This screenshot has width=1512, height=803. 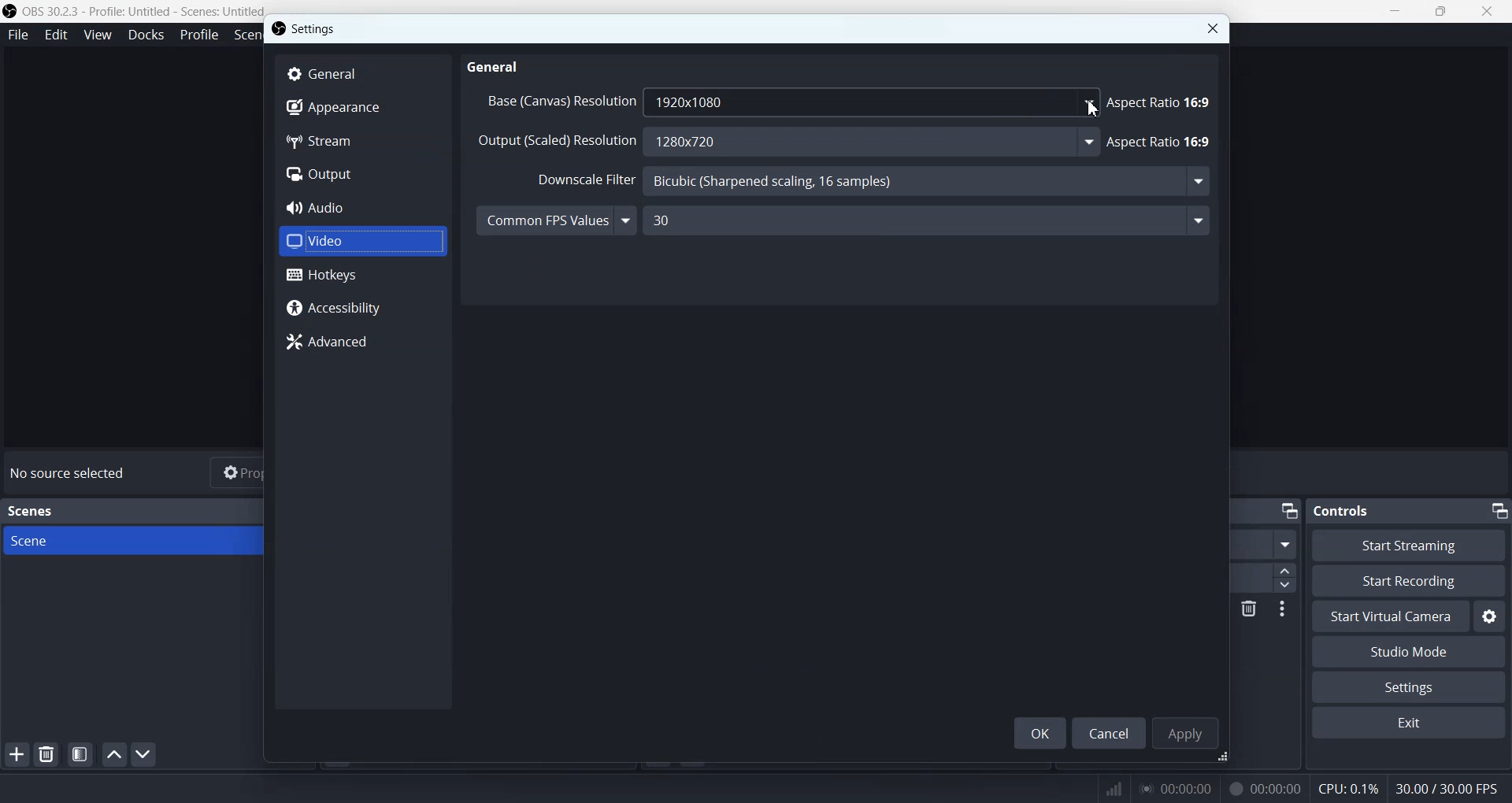 I want to click on Docks, so click(x=145, y=35).